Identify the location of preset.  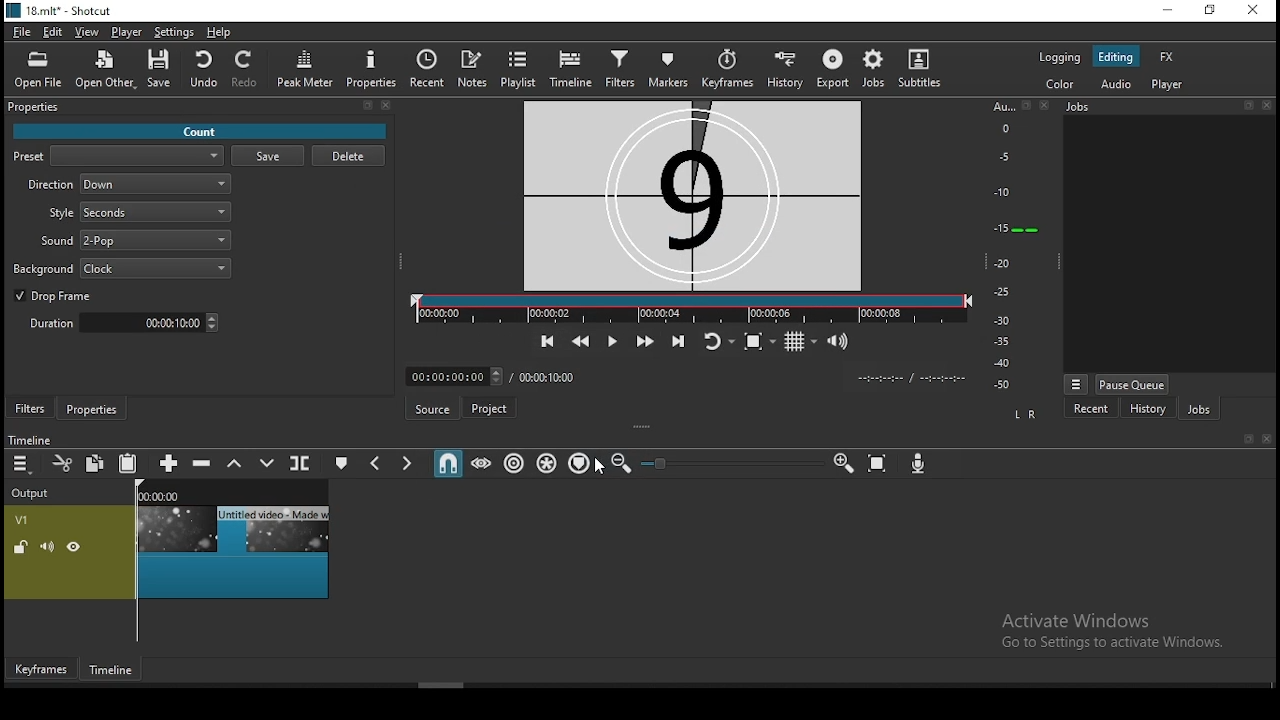
(121, 156).